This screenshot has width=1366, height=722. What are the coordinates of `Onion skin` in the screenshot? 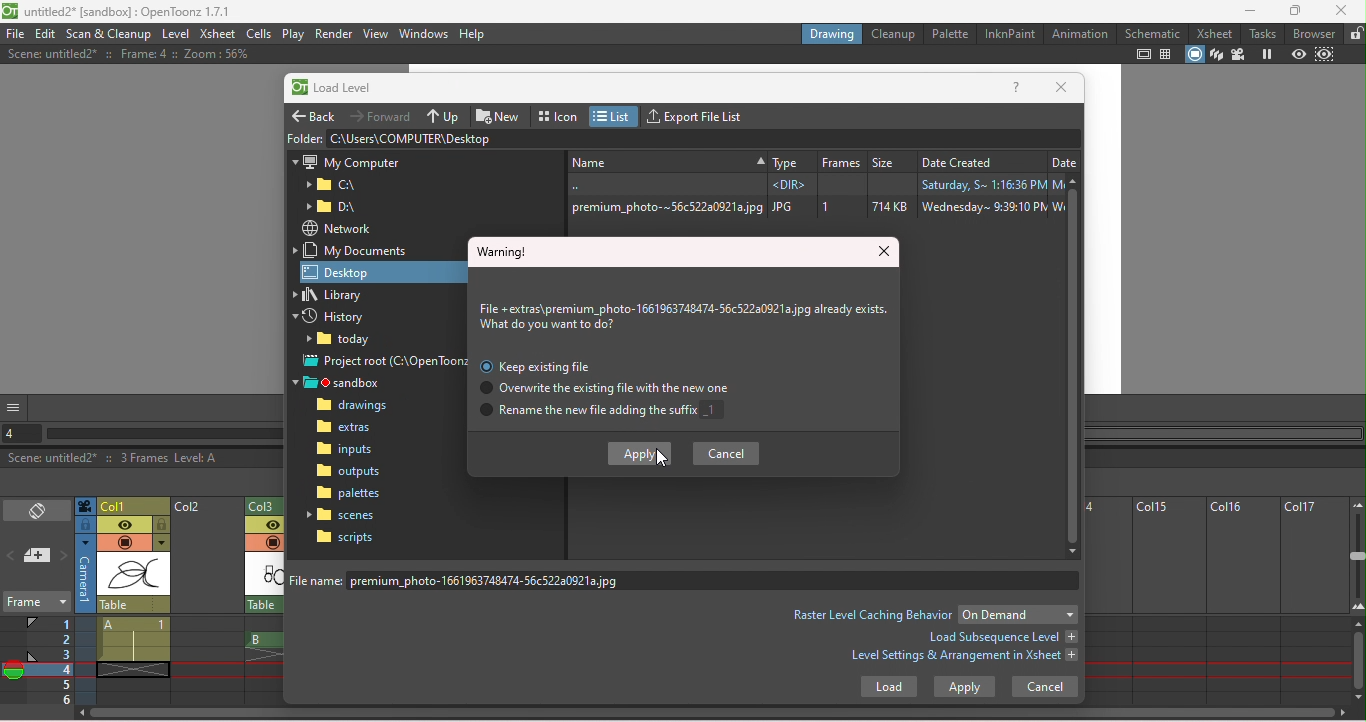 It's located at (13, 673).